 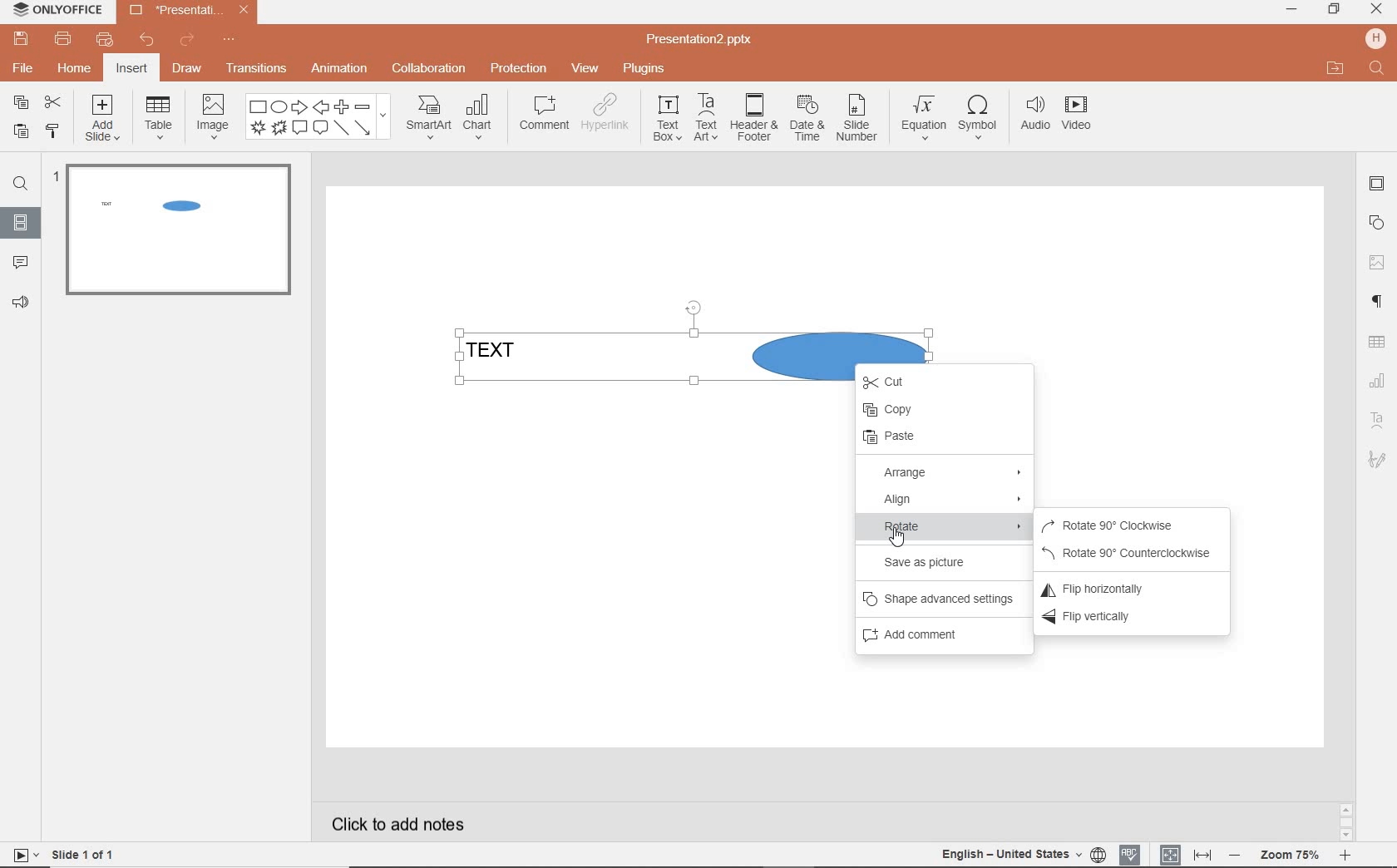 What do you see at coordinates (939, 439) in the screenshot?
I see `paste` at bounding box center [939, 439].